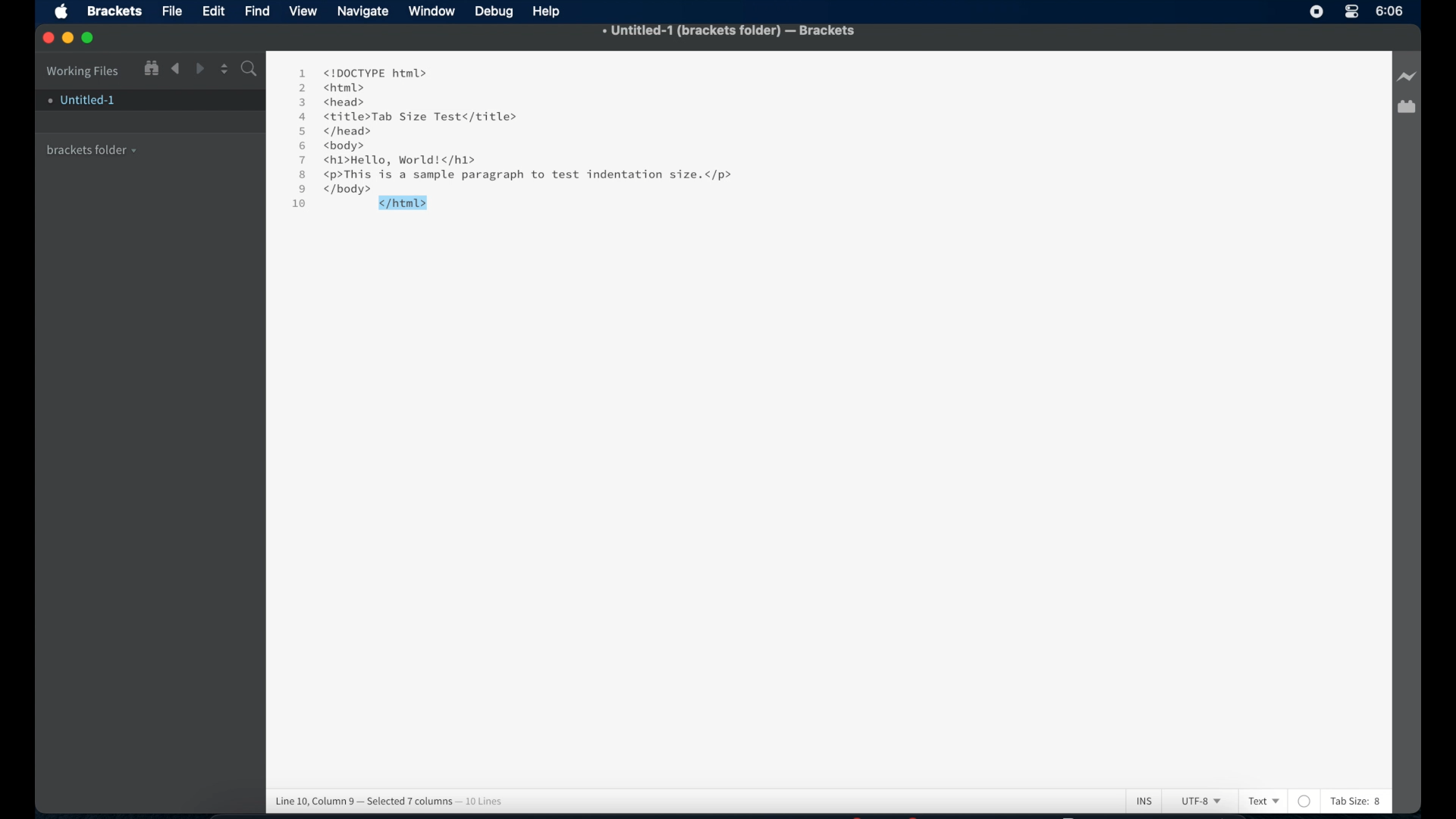  What do you see at coordinates (93, 148) in the screenshot?
I see `brackets folder` at bounding box center [93, 148].